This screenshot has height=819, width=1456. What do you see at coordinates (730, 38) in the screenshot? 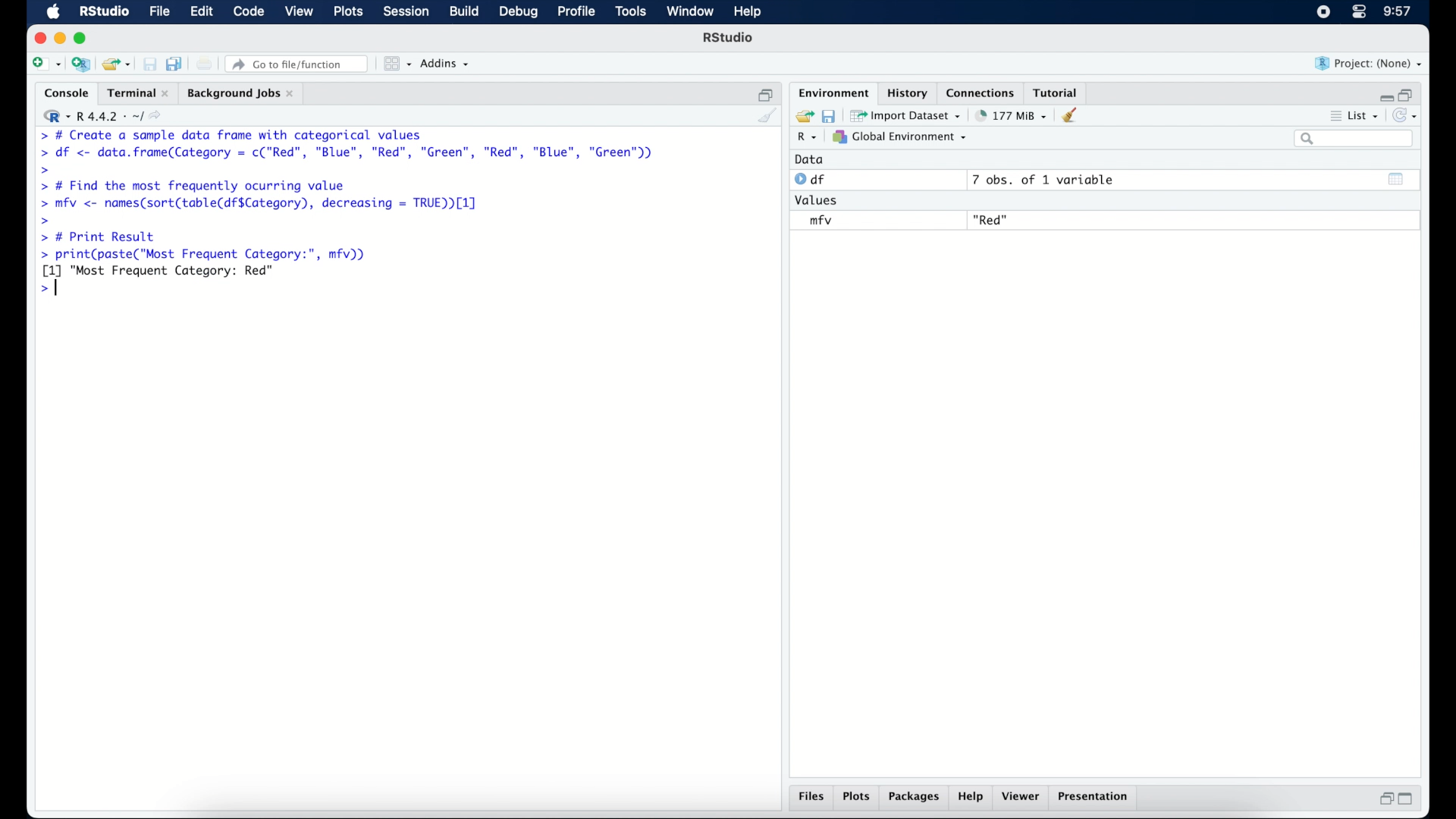
I see `R Studio` at bounding box center [730, 38].